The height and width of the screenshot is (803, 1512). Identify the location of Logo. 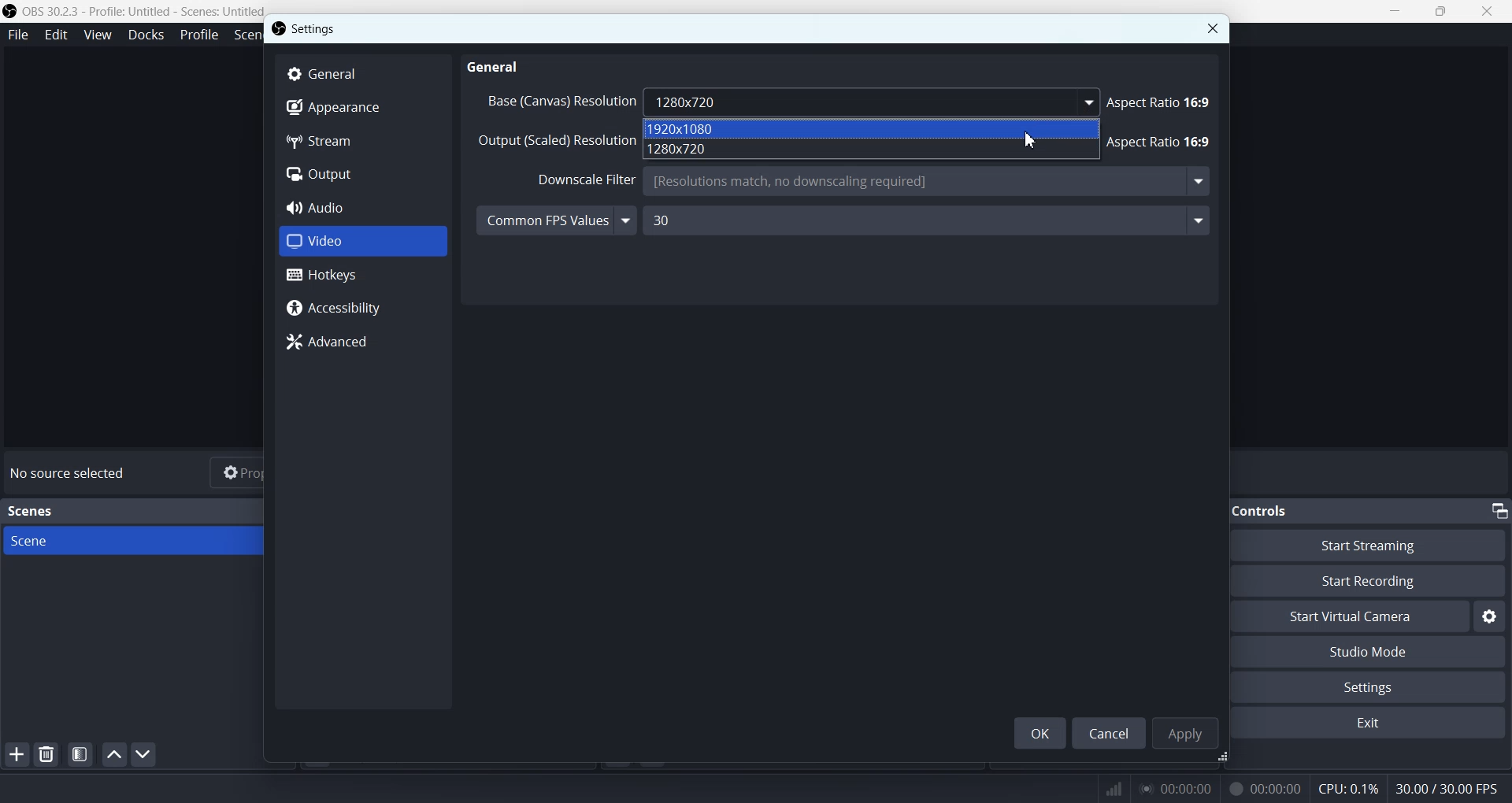
(134, 11).